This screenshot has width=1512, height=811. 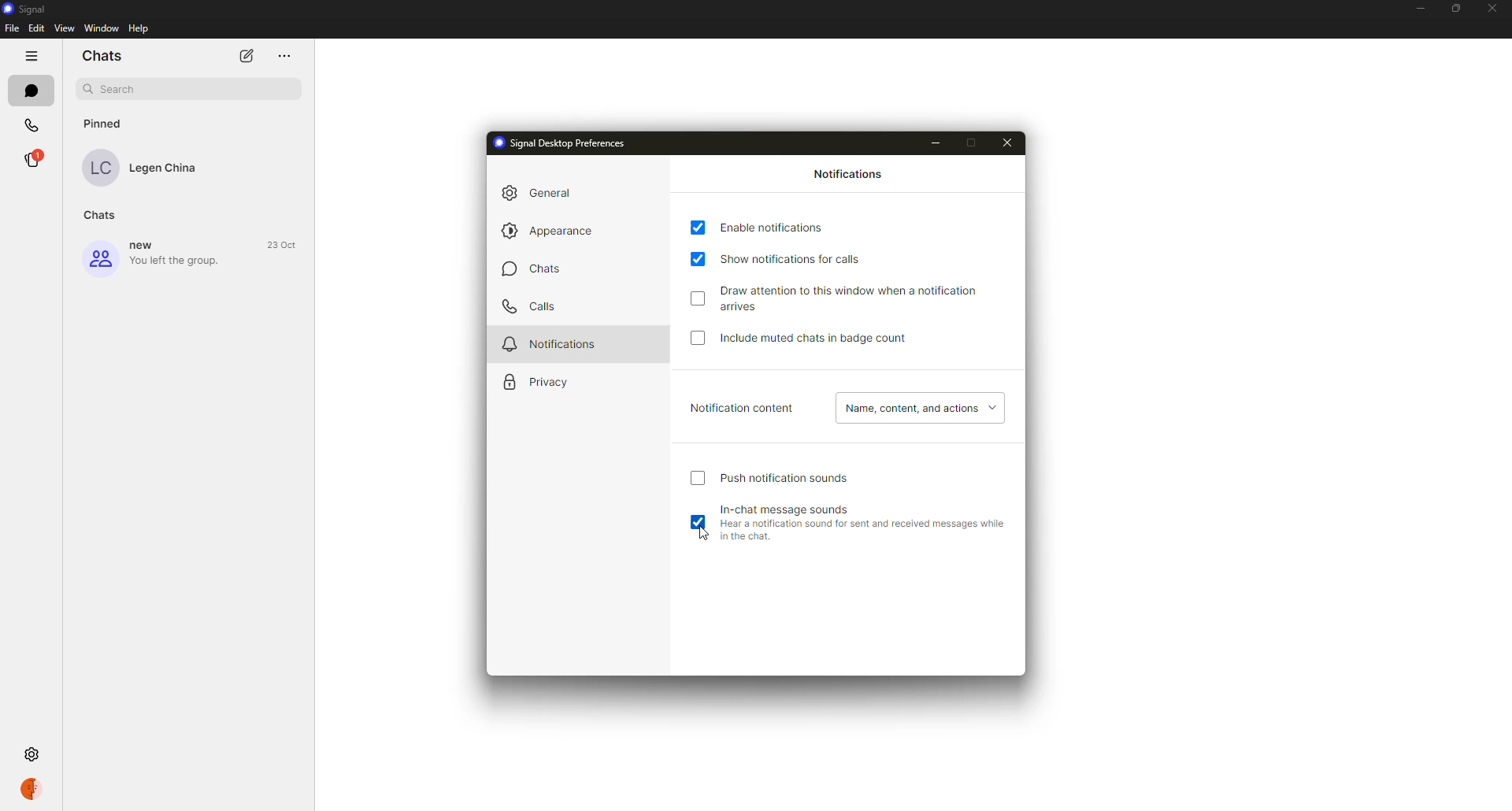 What do you see at coordinates (824, 338) in the screenshot?
I see `include muted chats in badge count` at bounding box center [824, 338].